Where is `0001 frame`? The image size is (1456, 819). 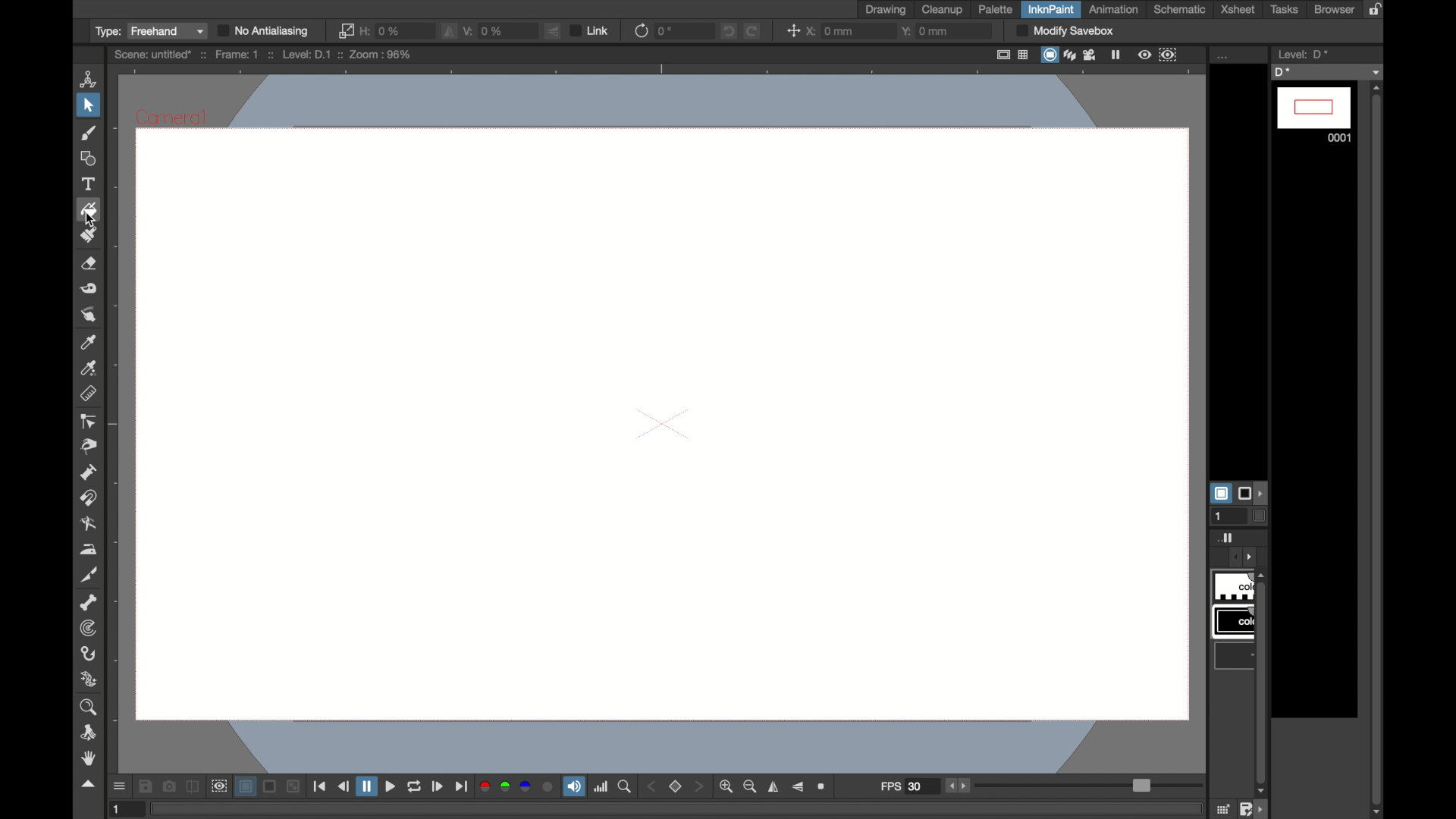
0001 frame is located at coordinates (1314, 115).